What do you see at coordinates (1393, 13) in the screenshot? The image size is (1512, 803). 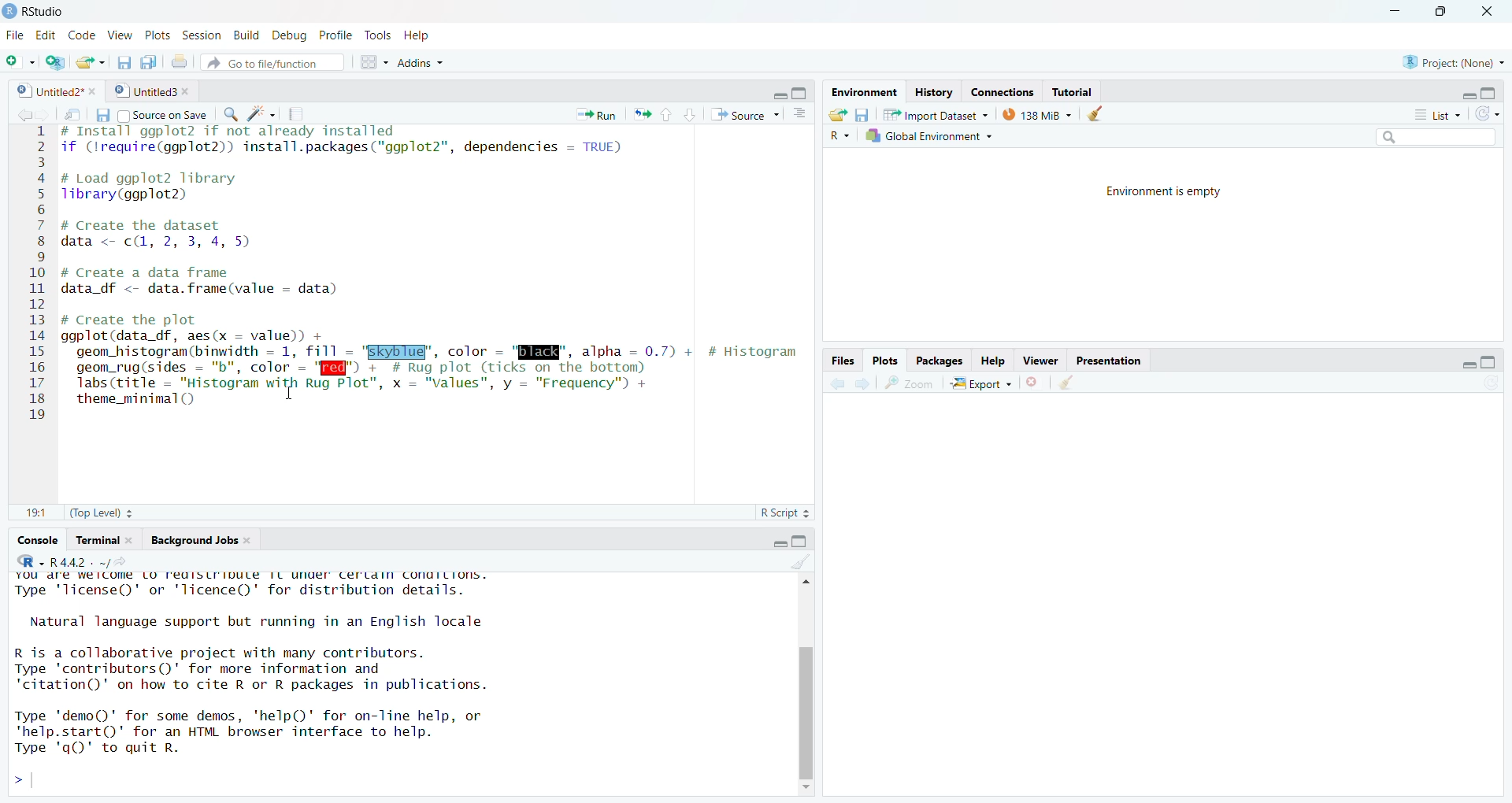 I see `minimize` at bounding box center [1393, 13].